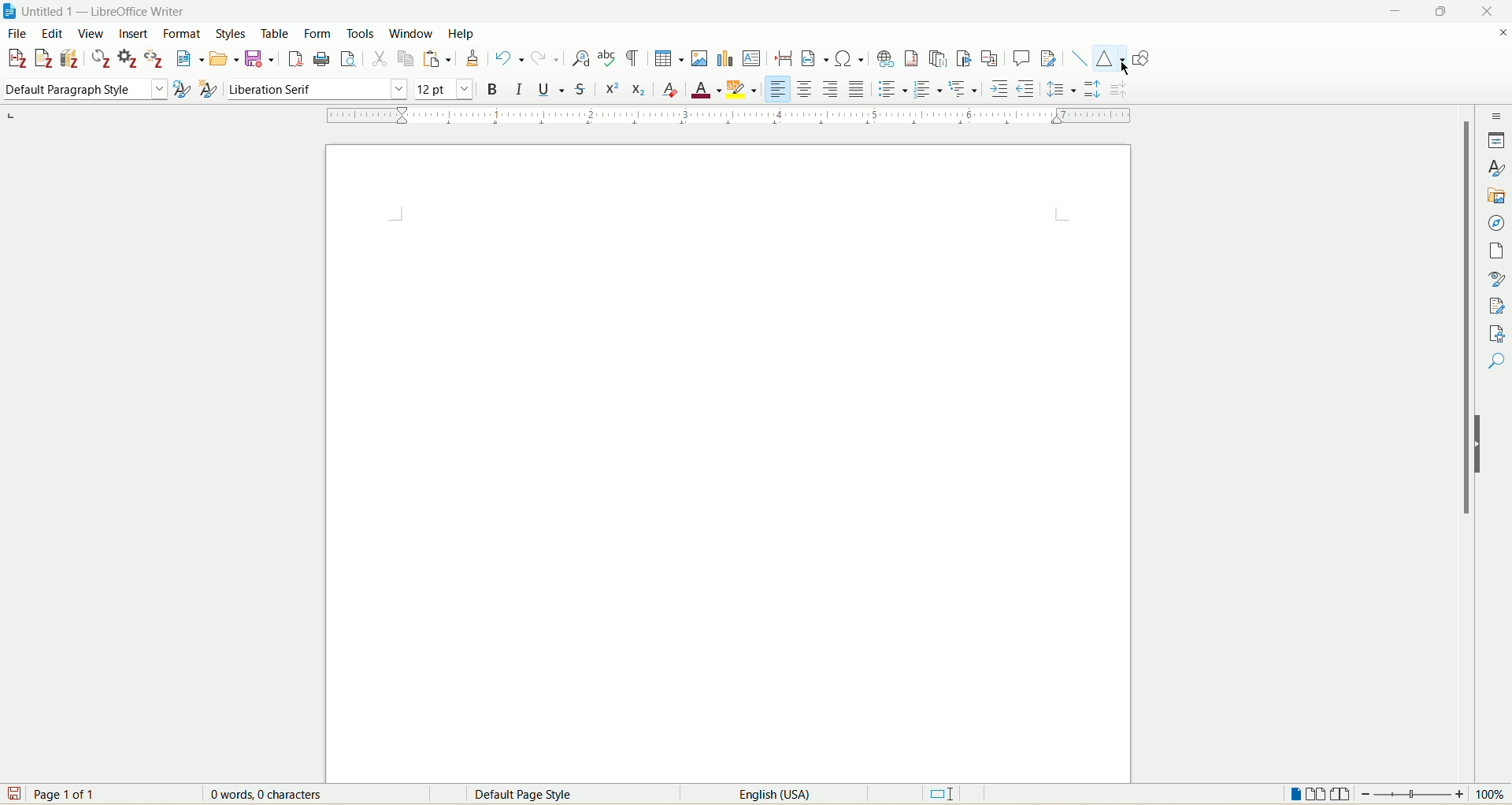 This screenshot has height=805, width=1512. What do you see at coordinates (520, 87) in the screenshot?
I see `italic` at bounding box center [520, 87].